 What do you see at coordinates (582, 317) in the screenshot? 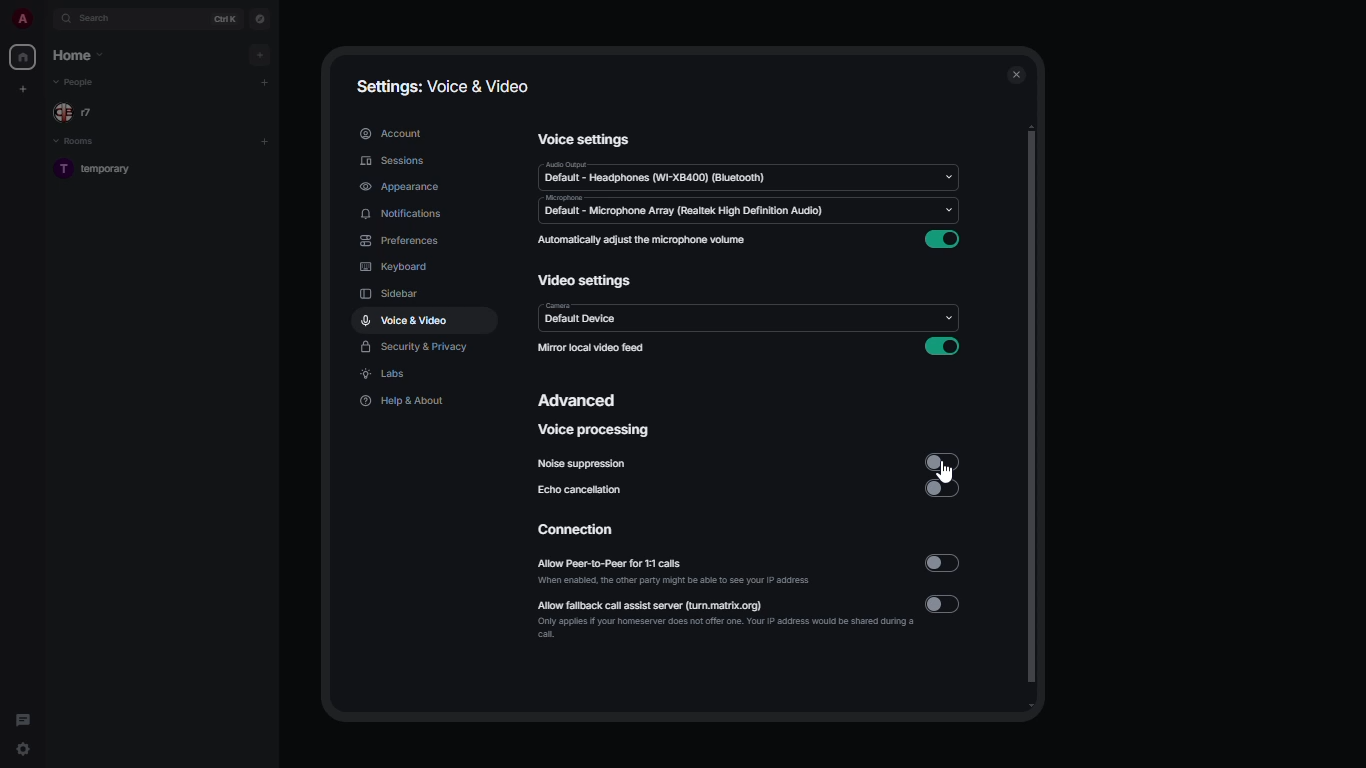
I see `camera default` at bounding box center [582, 317].